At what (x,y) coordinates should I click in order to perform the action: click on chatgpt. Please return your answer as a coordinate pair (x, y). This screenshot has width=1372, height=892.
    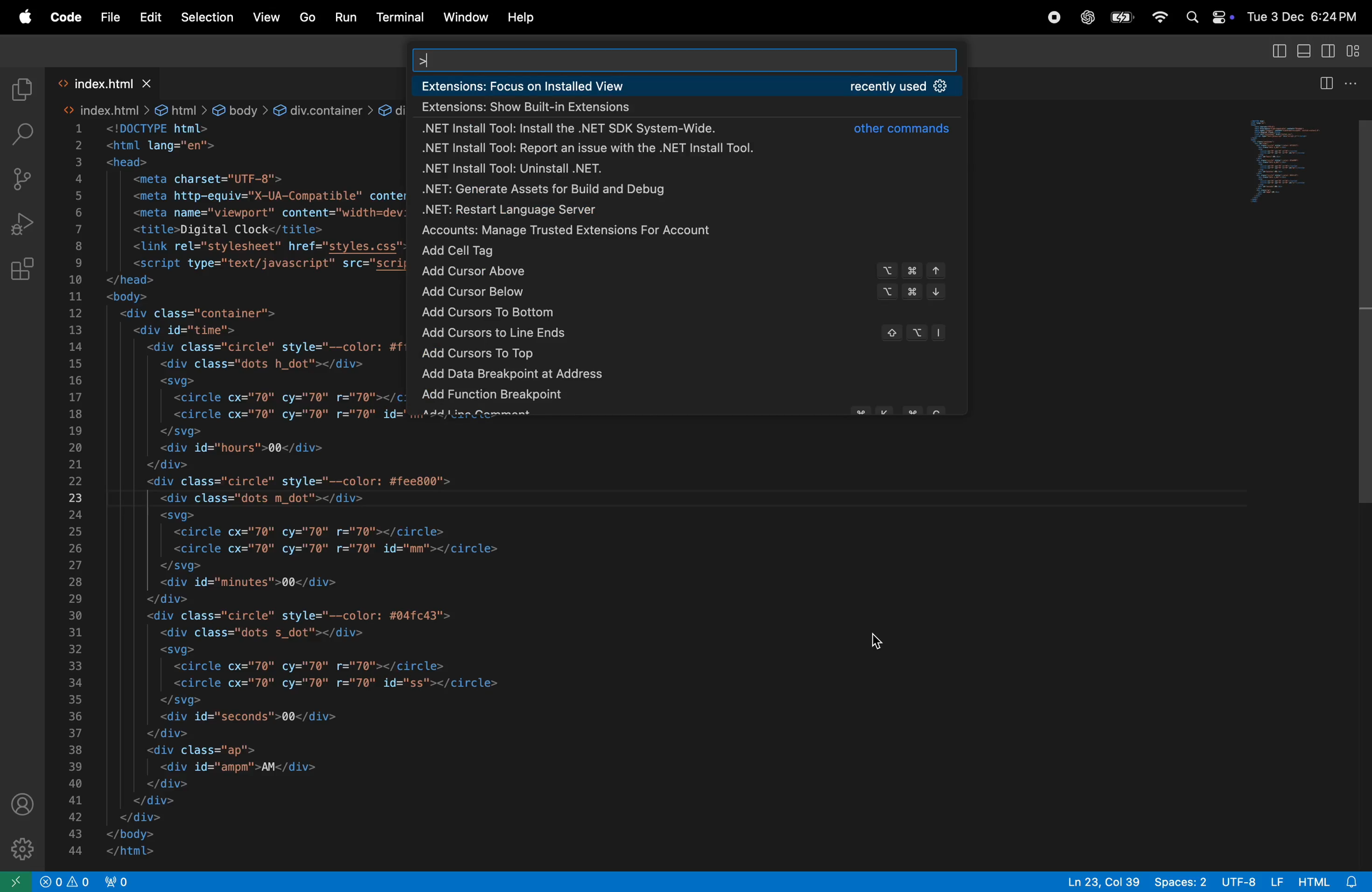
    Looking at the image, I should click on (1090, 18).